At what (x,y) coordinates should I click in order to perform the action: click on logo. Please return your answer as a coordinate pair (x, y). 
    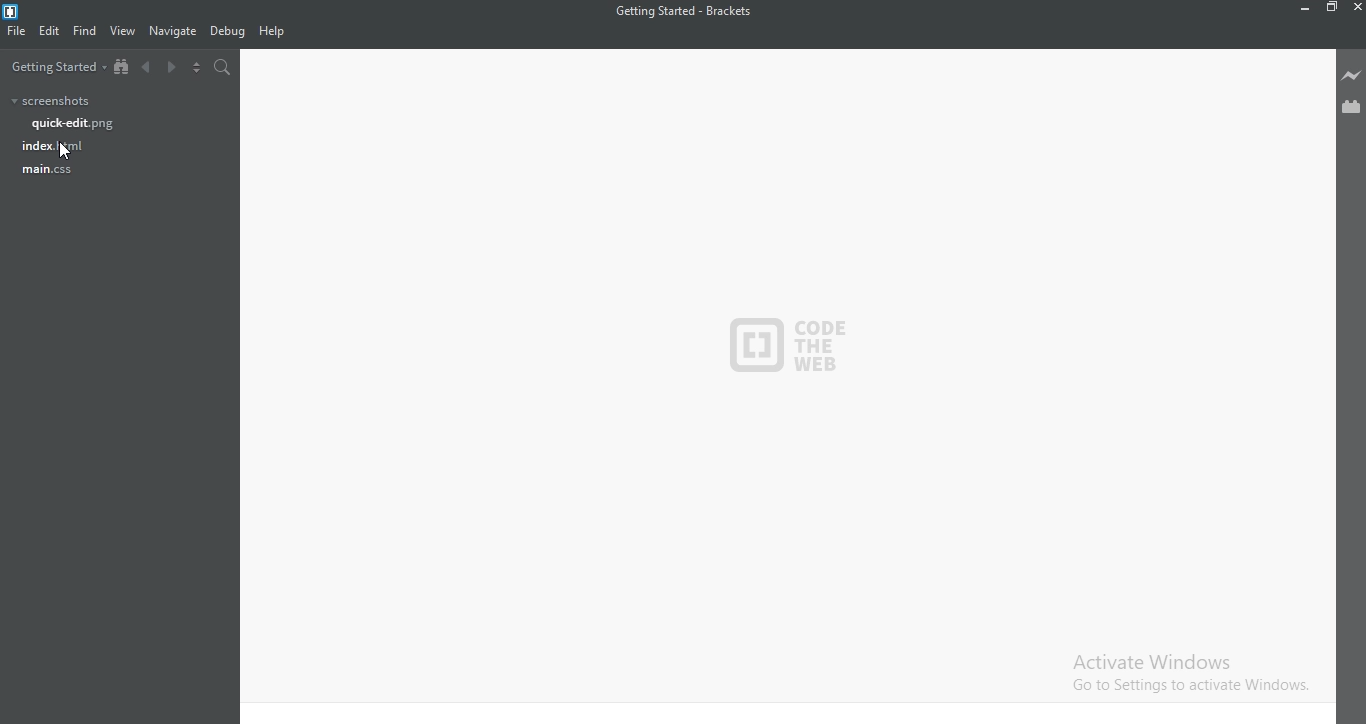
    Looking at the image, I should click on (787, 346).